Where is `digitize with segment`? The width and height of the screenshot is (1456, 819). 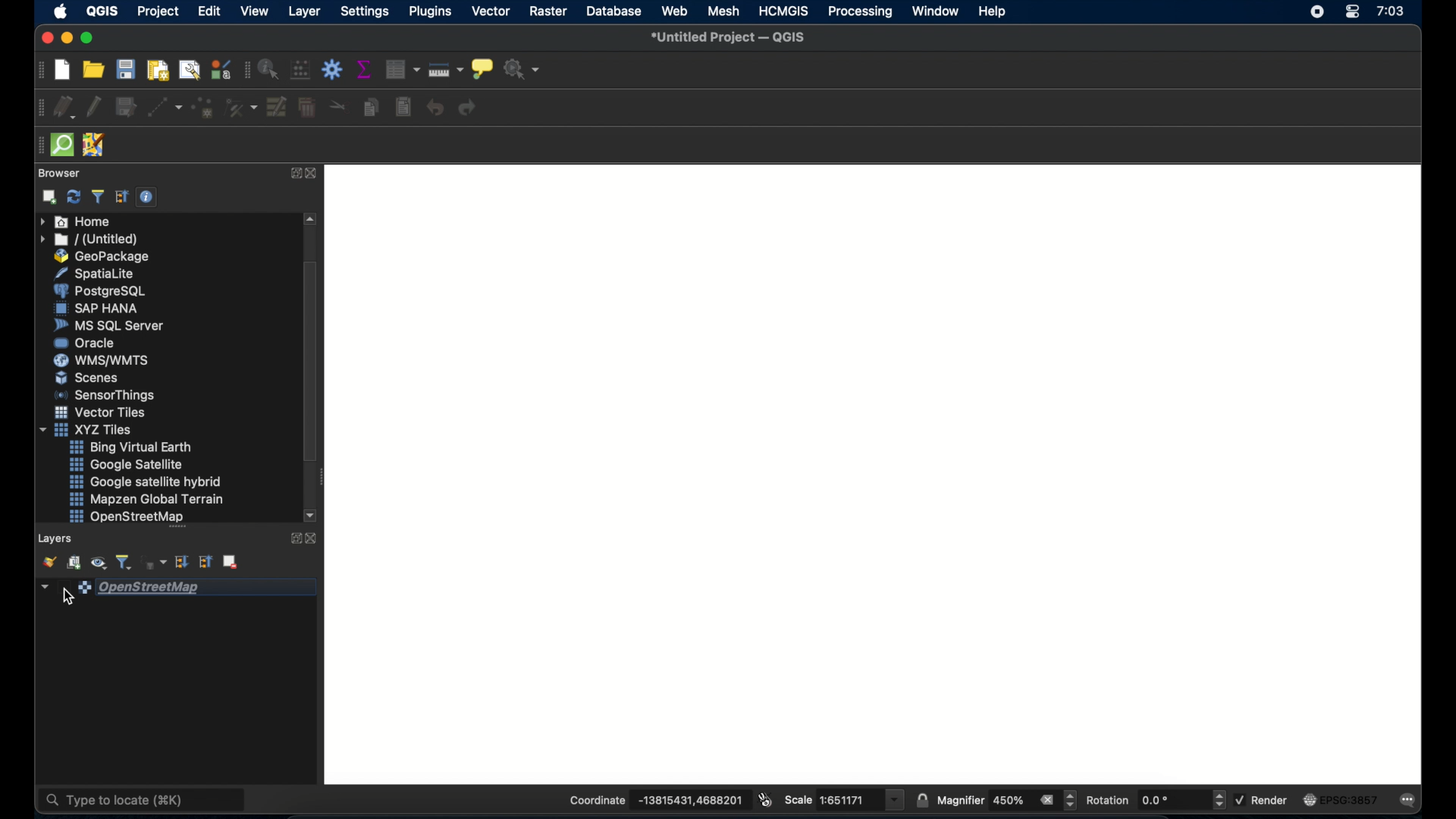
digitize with segment is located at coordinates (165, 108).